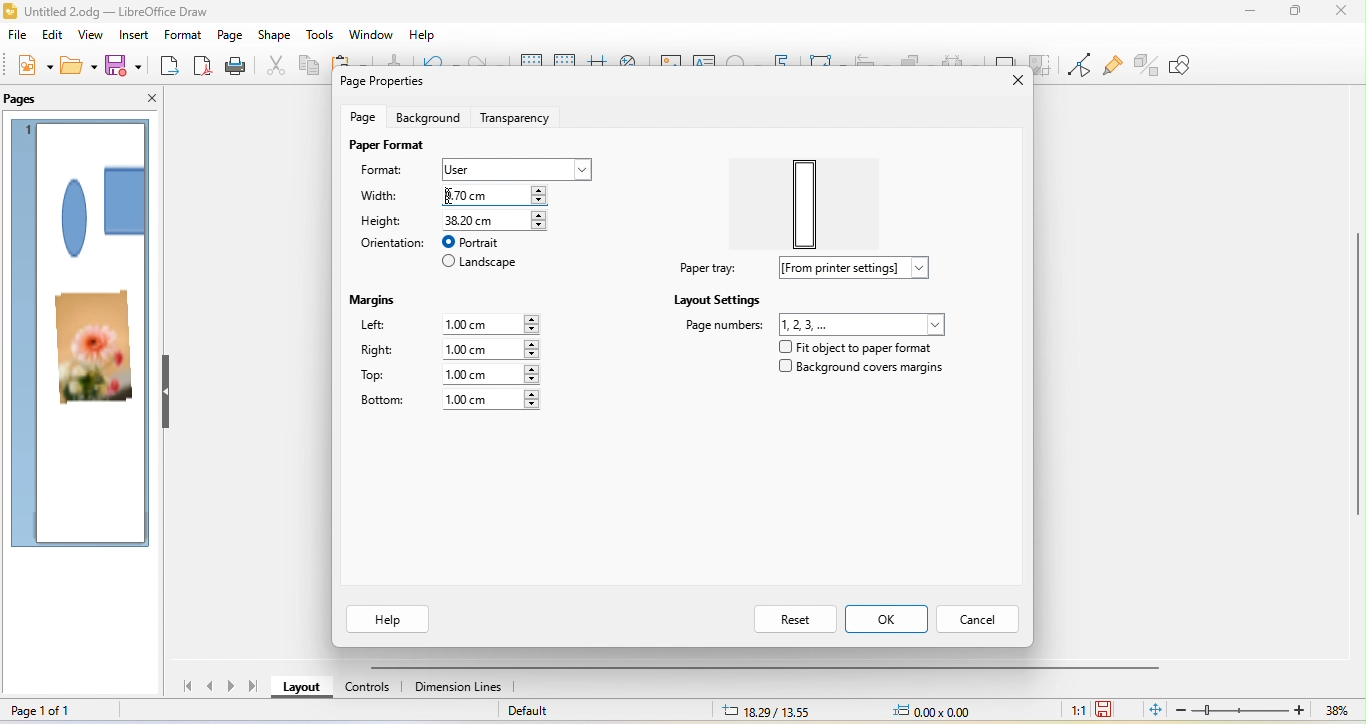 The width and height of the screenshot is (1366, 724). I want to click on edit, so click(55, 37).